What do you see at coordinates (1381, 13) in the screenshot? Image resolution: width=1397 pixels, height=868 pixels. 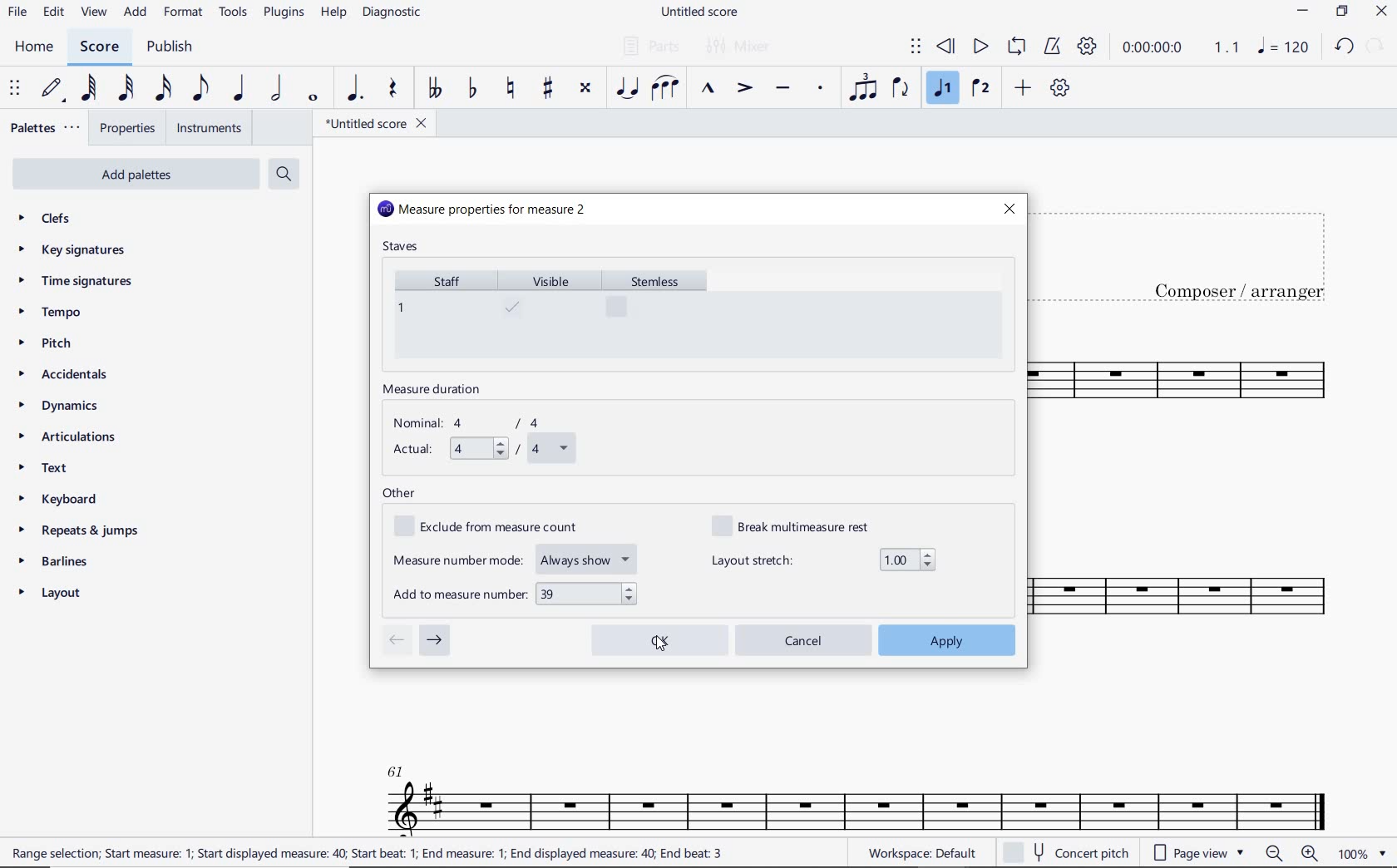 I see `CLOSE` at bounding box center [1381, 13].